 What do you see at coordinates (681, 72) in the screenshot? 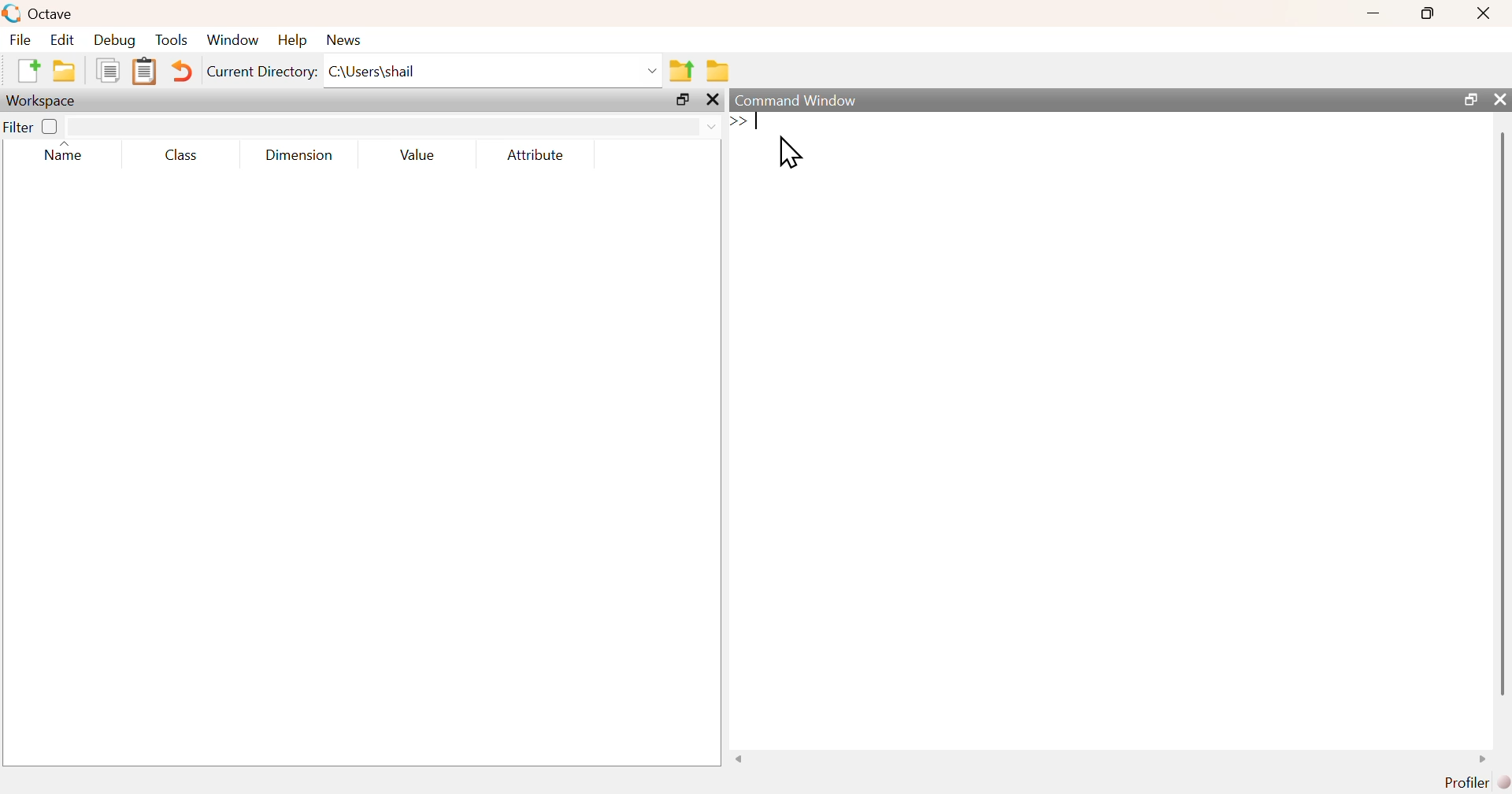
I see `Previous Folder` at bounding box center [681, 72].